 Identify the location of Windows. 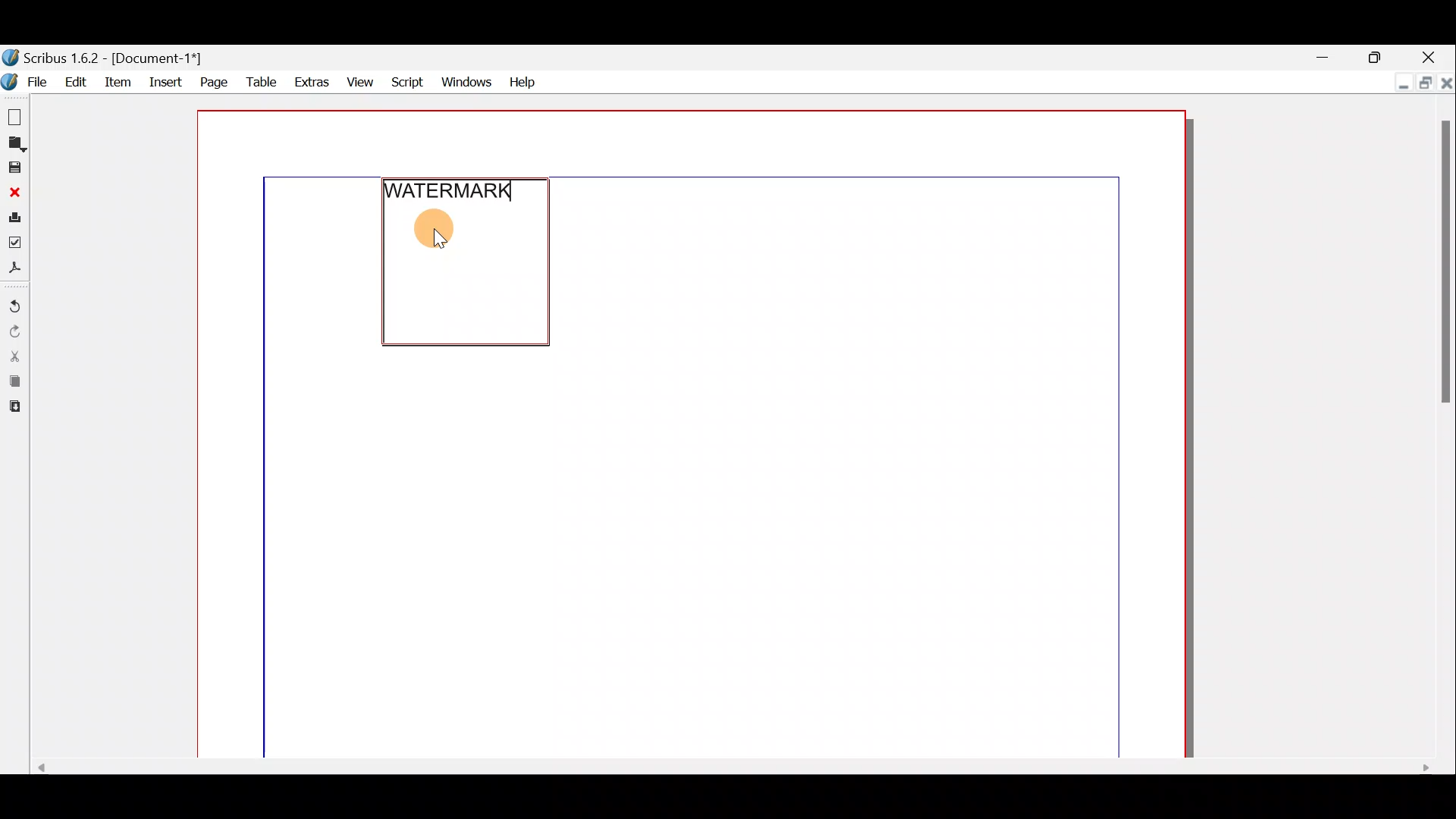
(466, 80).